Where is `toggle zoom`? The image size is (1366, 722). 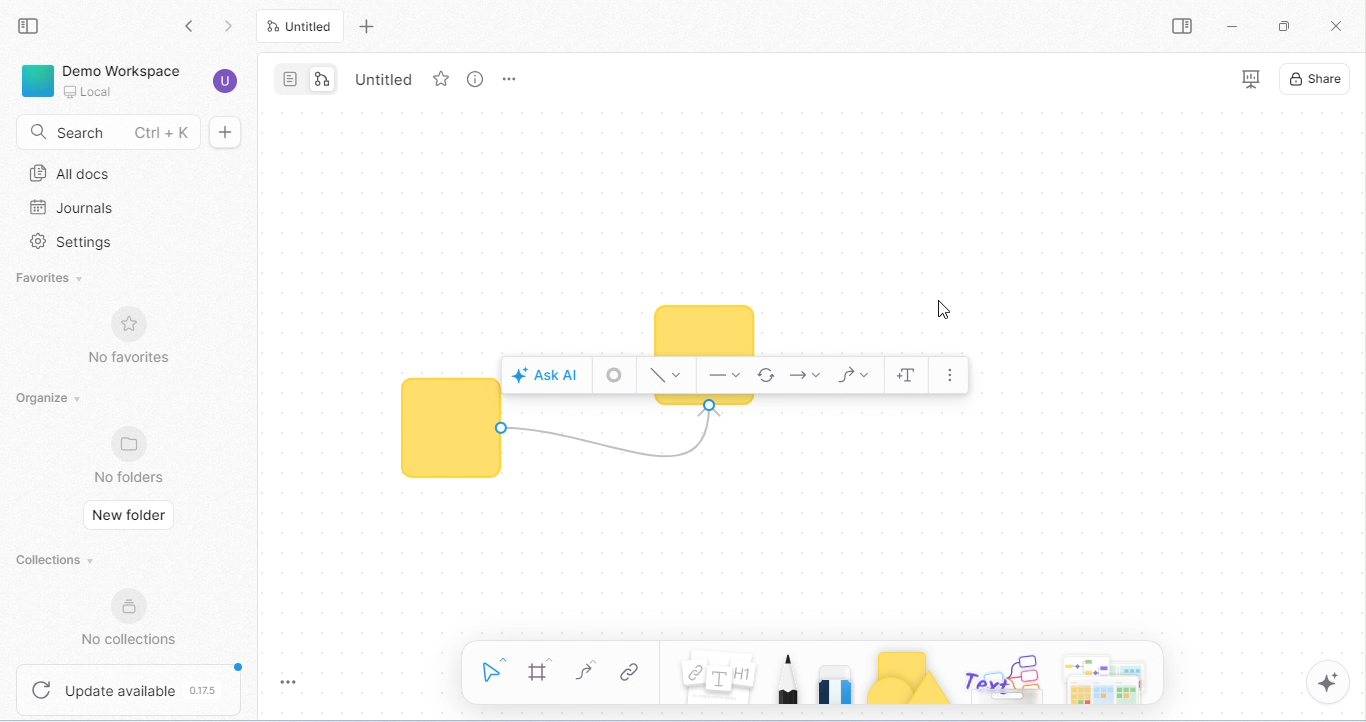 toggle zoom is located at coordinates (292, 681).